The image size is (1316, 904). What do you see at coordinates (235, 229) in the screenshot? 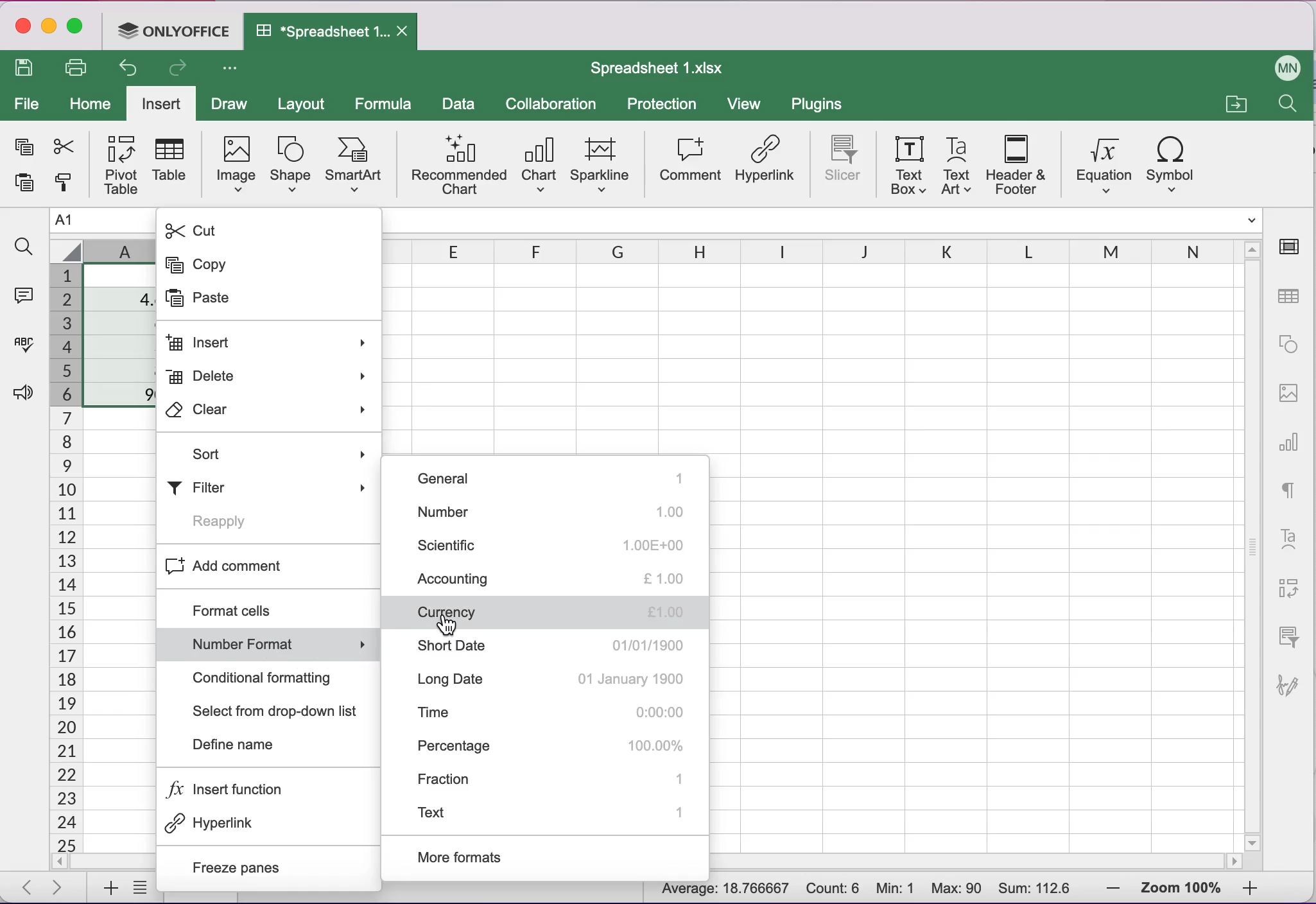
I see `Cut` at bounding box center [235, 229].